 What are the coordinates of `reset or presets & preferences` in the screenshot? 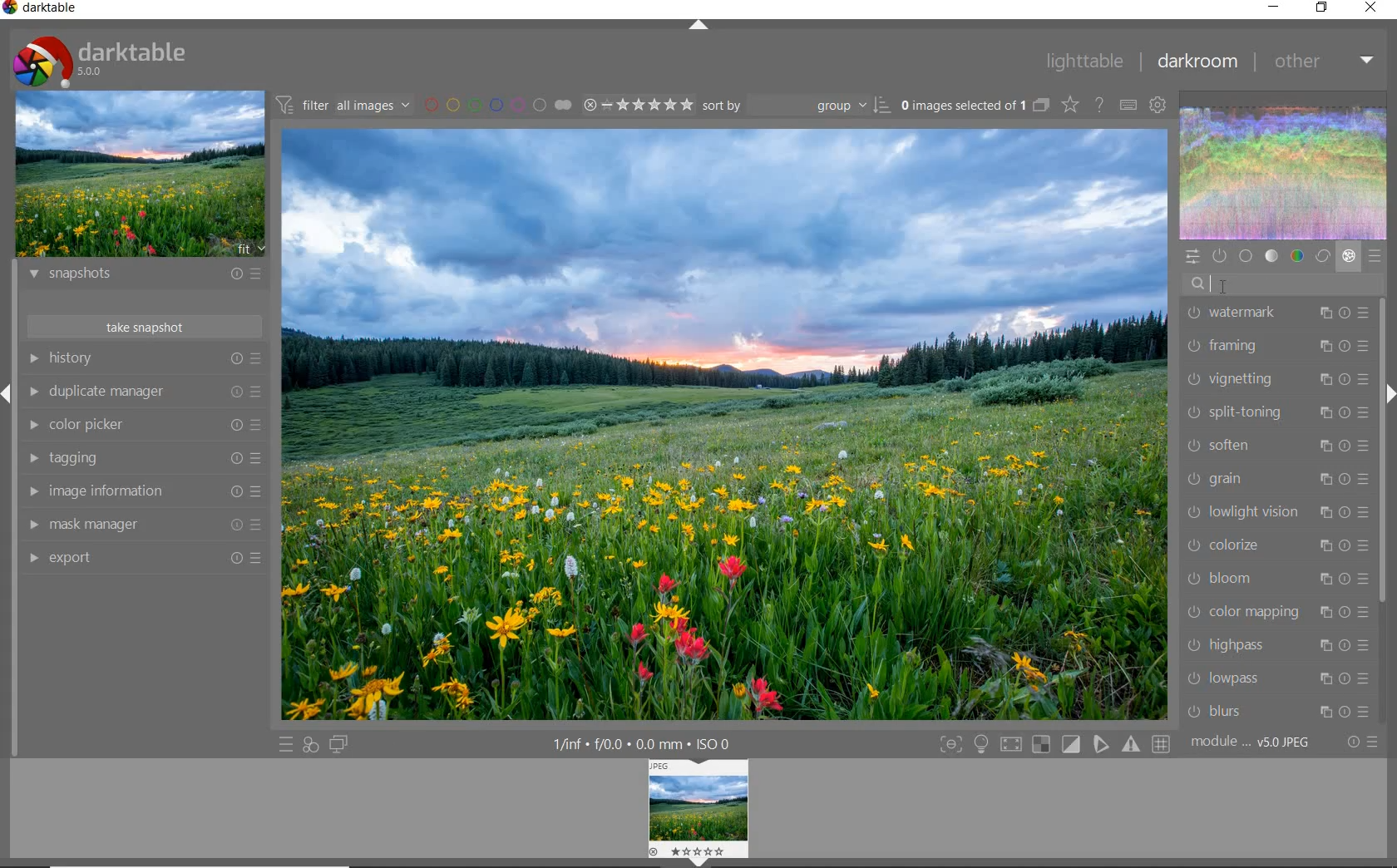 It's located at (1360, 745).